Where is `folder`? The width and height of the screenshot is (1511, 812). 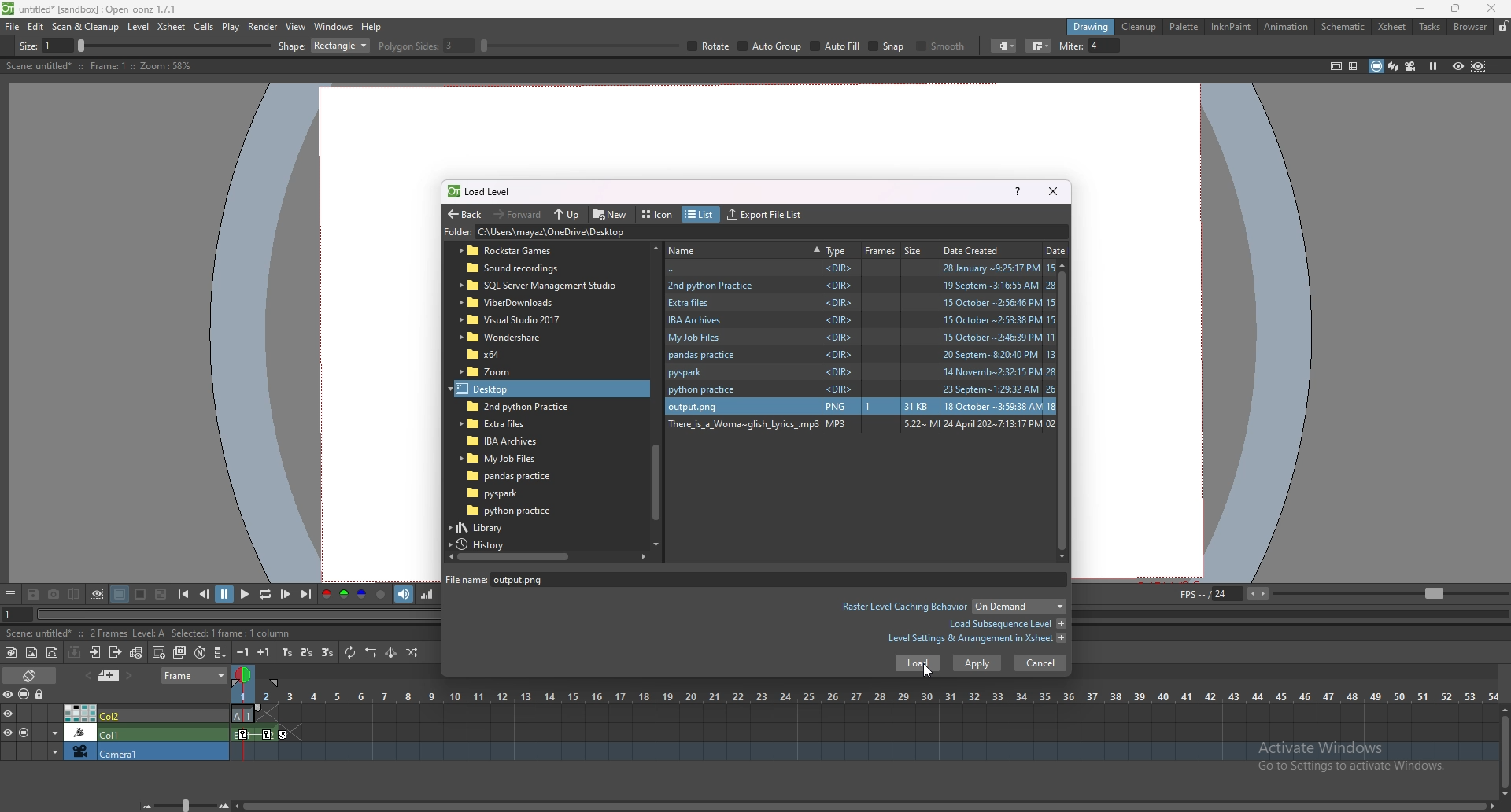
folder is located at coordinates (512, 511).